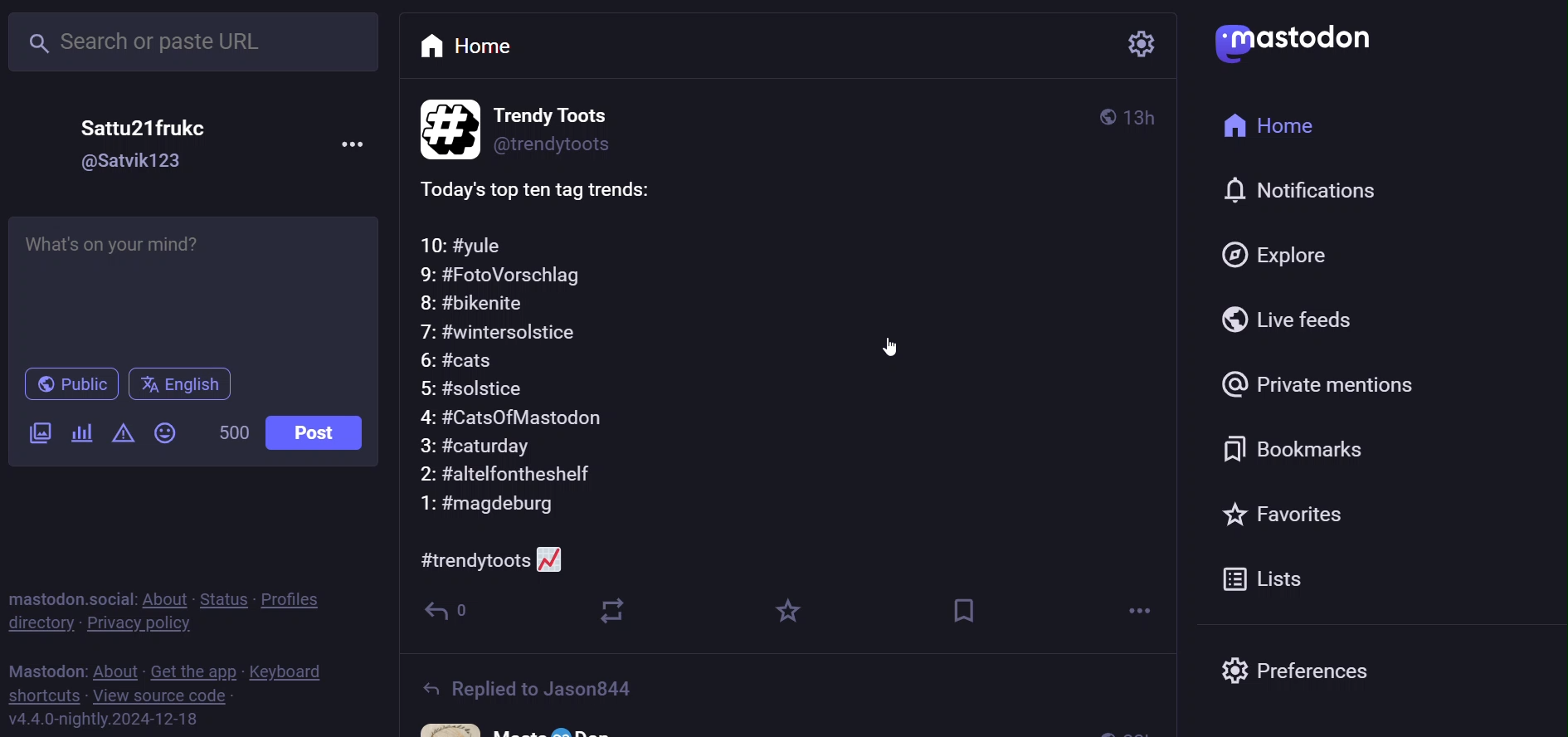  Describe the element at coordinates (1286, 255) in the screenshot. I see `explore` at that location.